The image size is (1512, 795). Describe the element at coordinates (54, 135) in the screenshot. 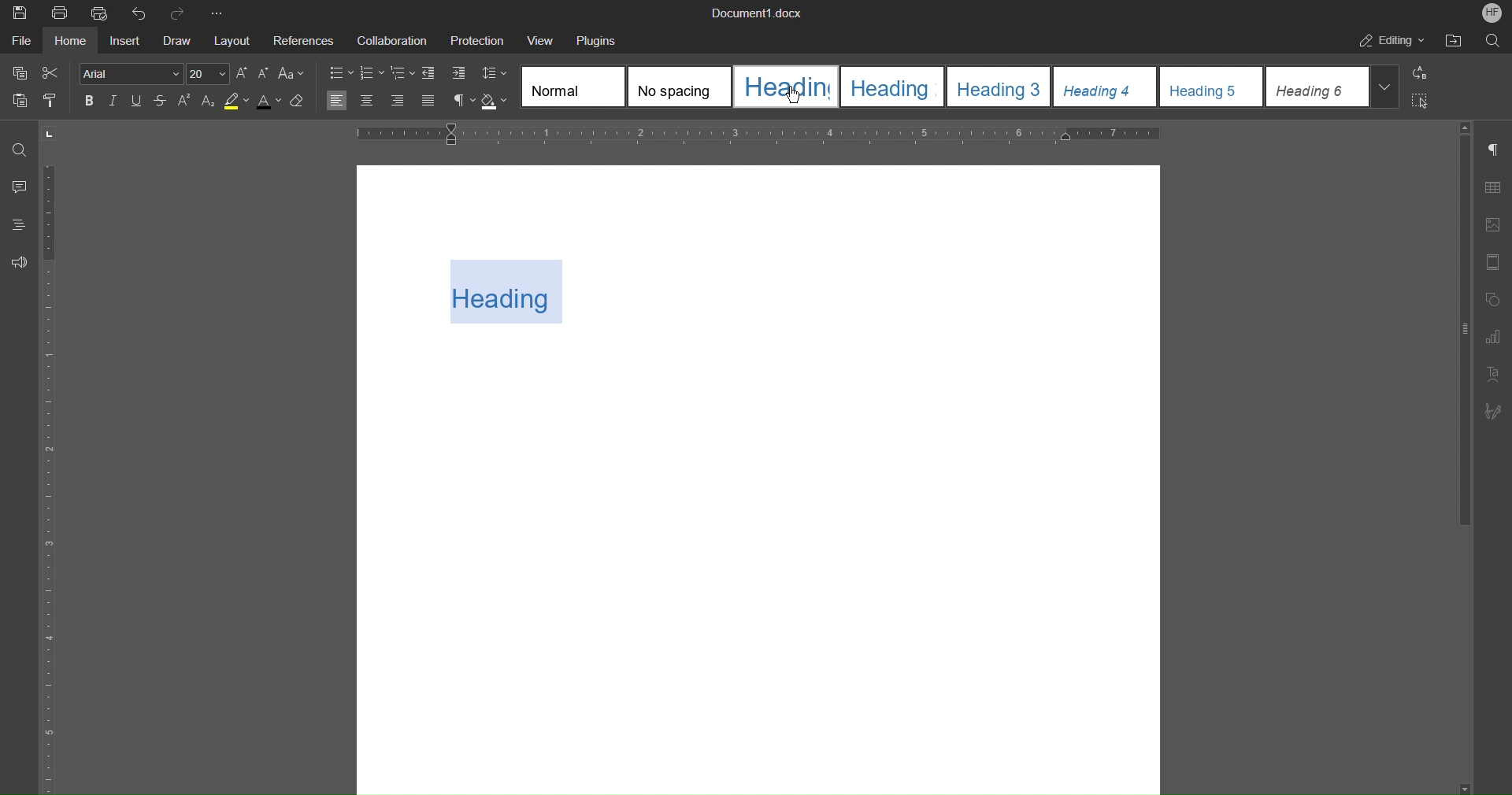

I see `Tab stop` at that location.